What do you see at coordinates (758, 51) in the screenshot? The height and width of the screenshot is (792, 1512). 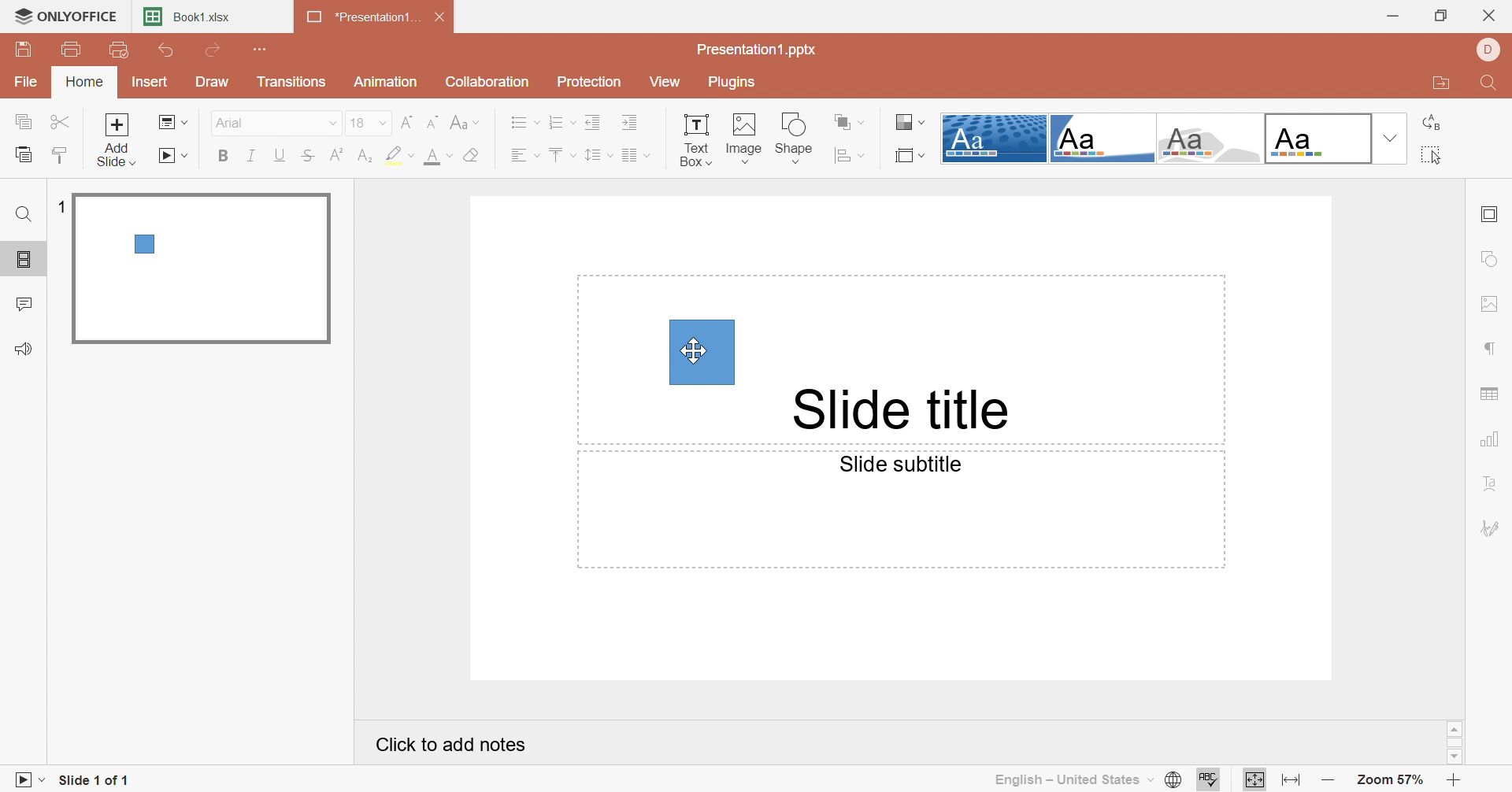 I see `Presentation1.pptx` at bounding box center [758, 51].